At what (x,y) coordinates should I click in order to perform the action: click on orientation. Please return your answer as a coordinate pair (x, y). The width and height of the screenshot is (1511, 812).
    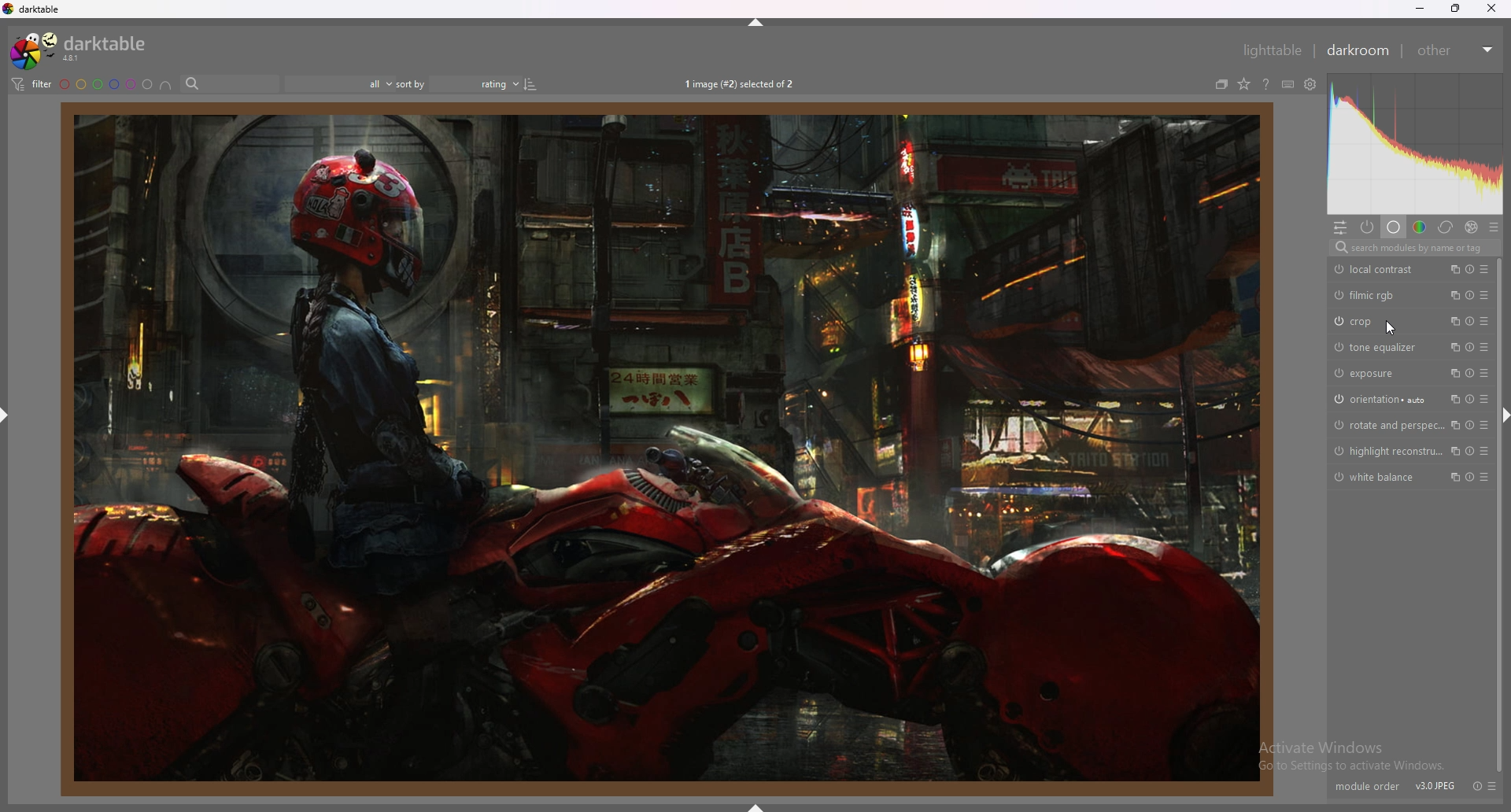
    Looking at the image, I should click on (1383, 399).